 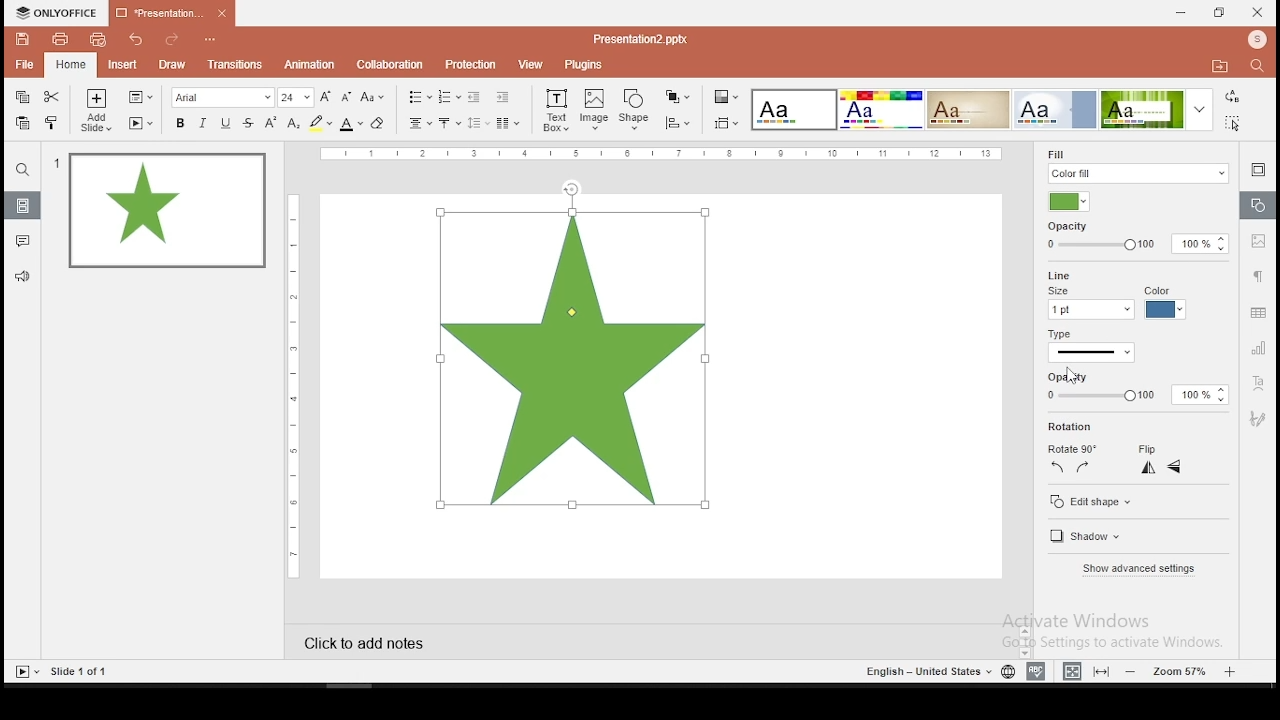 I want to click on draw, so click(x=173, y=65).